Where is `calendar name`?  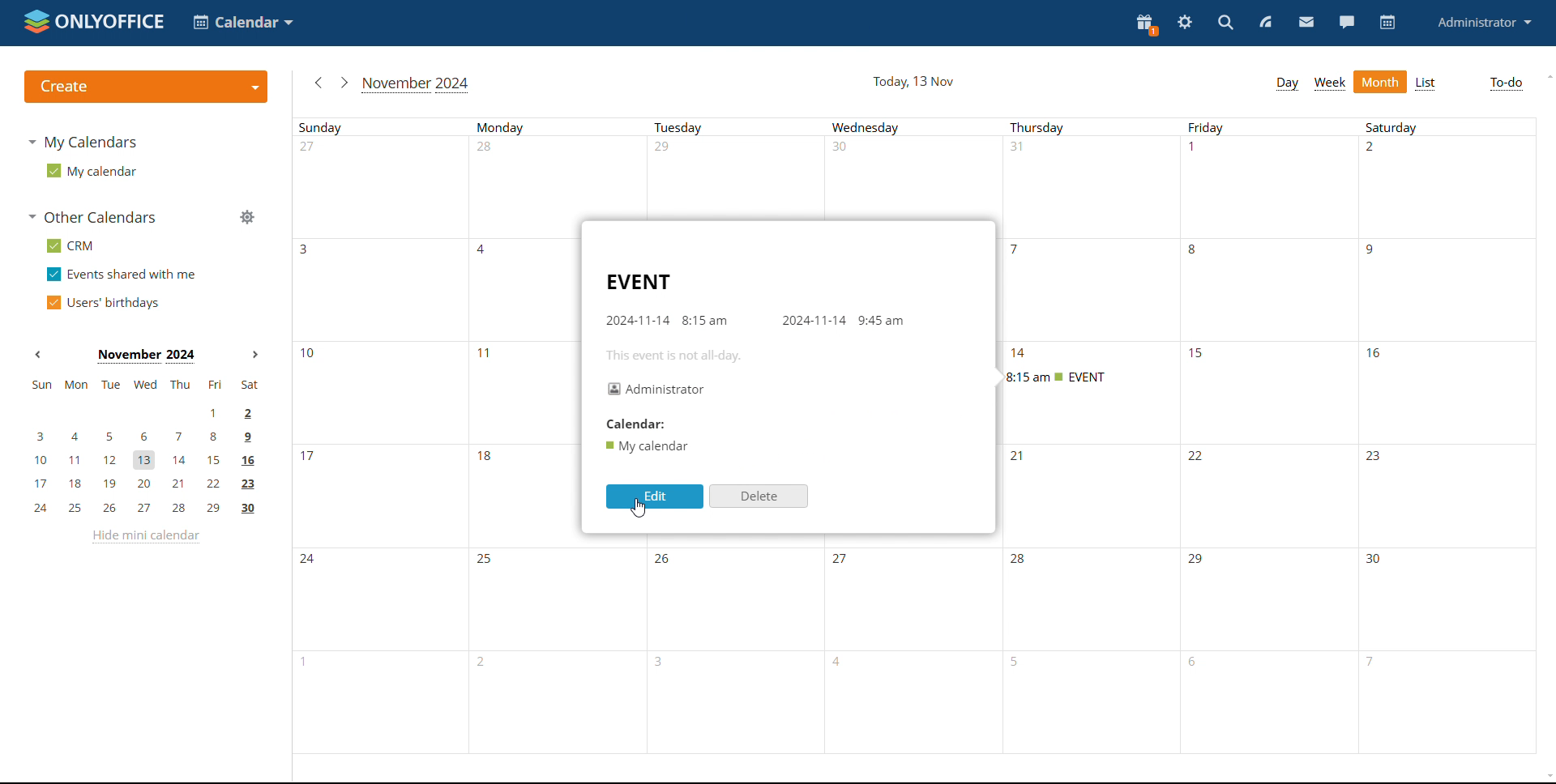
calendar name is located at coordinates (649, 445).